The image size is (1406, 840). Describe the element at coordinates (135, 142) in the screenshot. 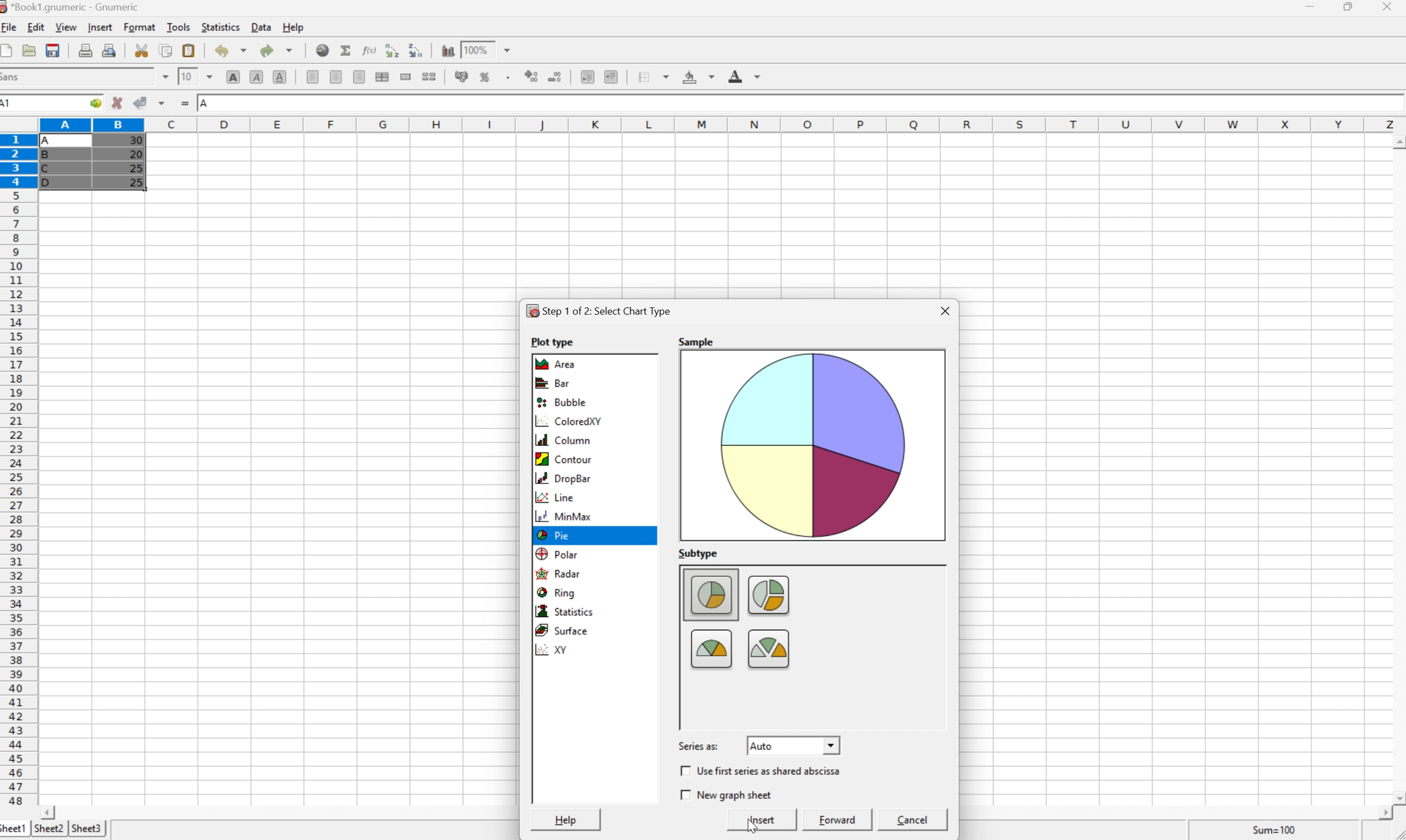

I see `30` at that location.